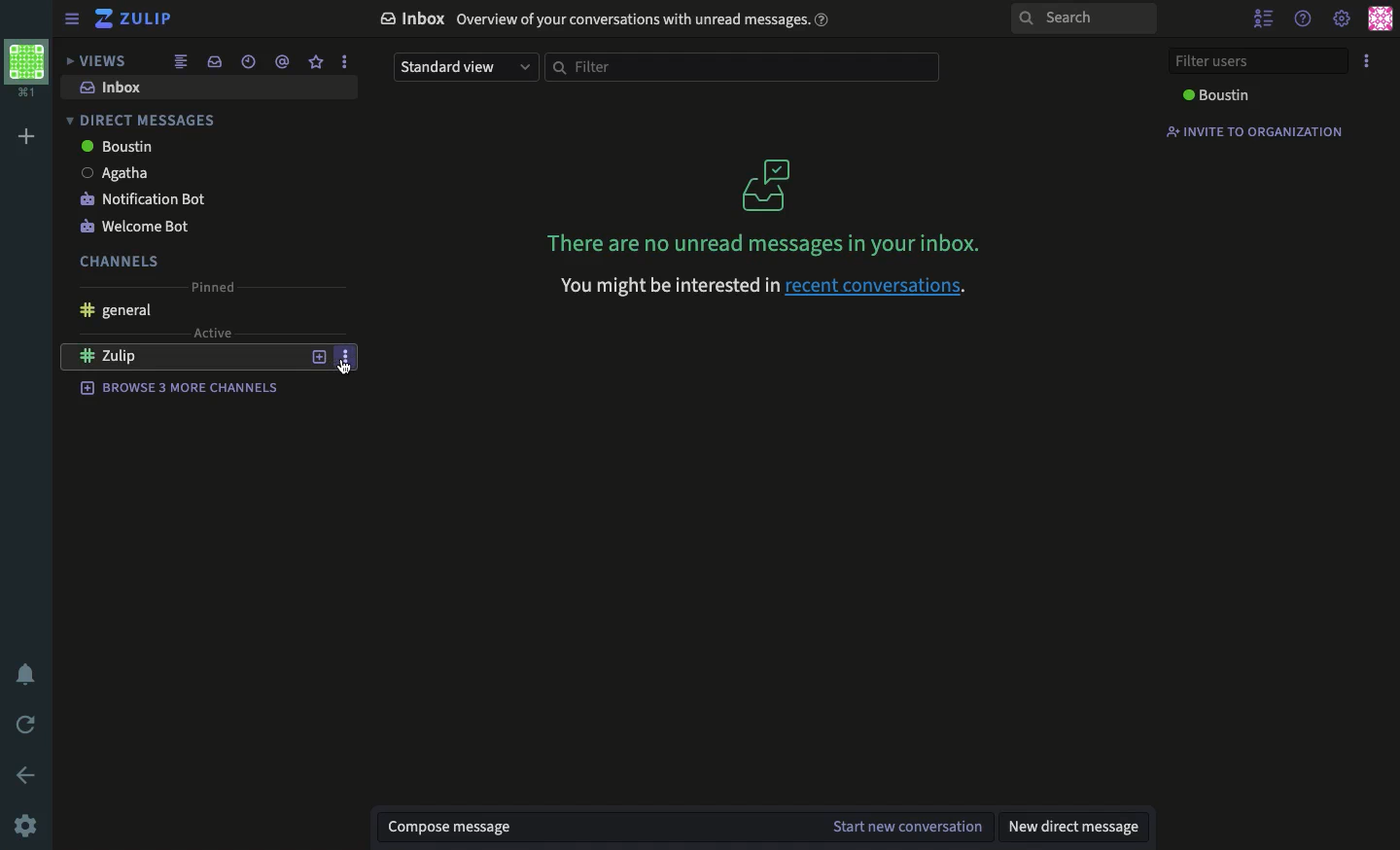  Describe the element at coordinates (1219, 95) in the screenshot. I see `Boustin` at that location.